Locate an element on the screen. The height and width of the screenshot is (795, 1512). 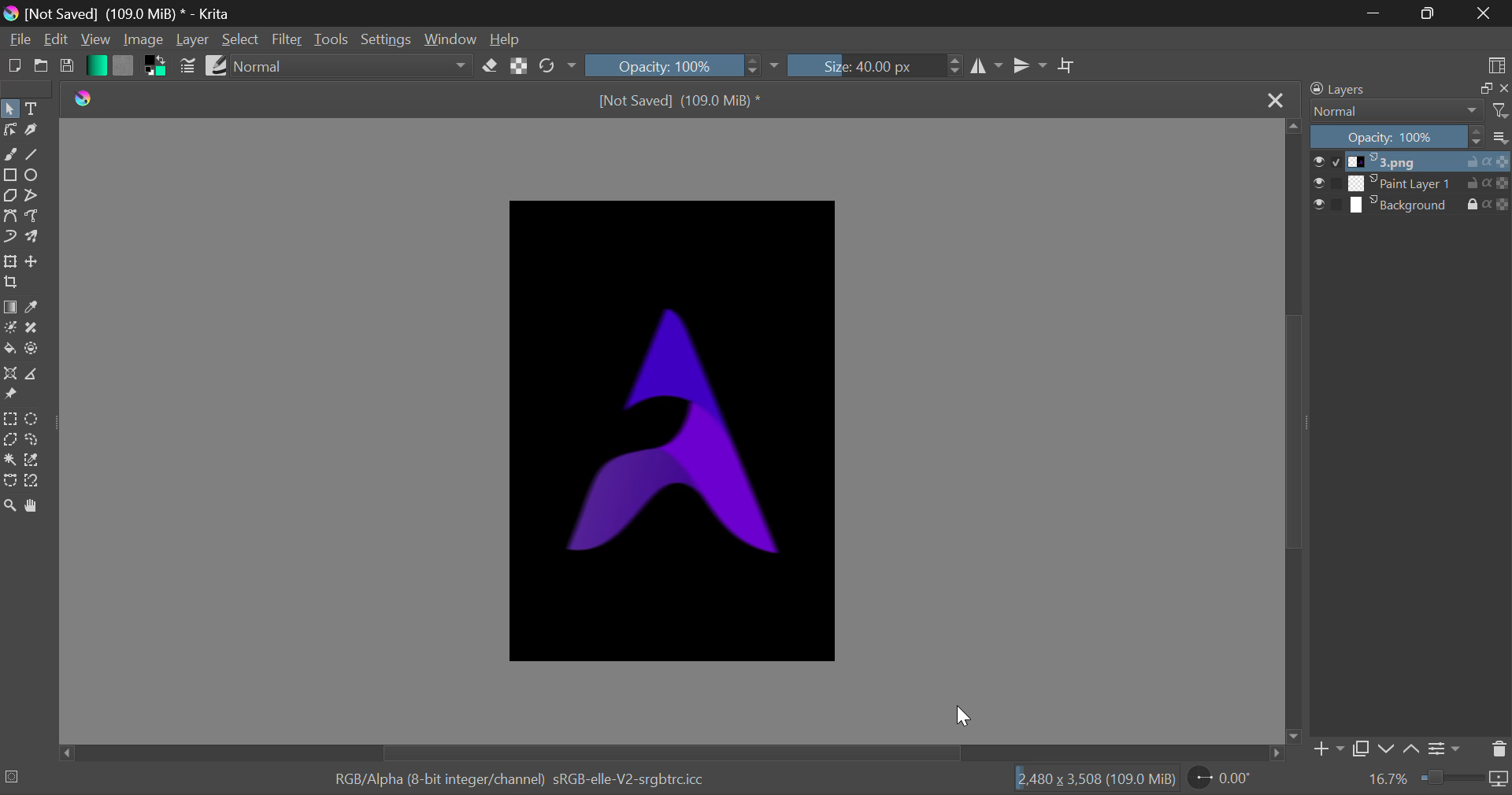
16.7% is located at coordinates (1388, 779).